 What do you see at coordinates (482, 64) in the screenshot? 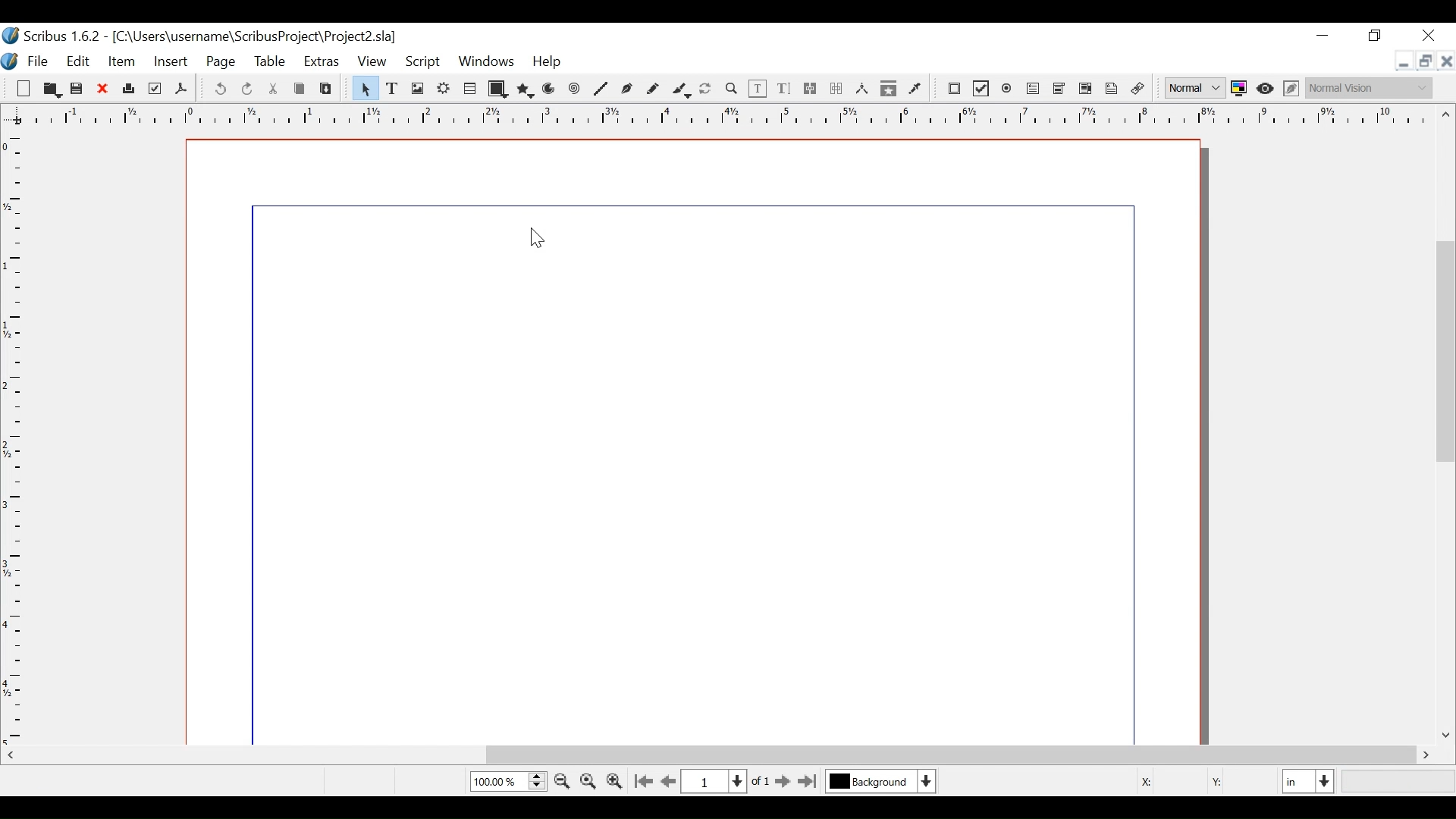
I see `Windows` at bounding box center [482, 64].